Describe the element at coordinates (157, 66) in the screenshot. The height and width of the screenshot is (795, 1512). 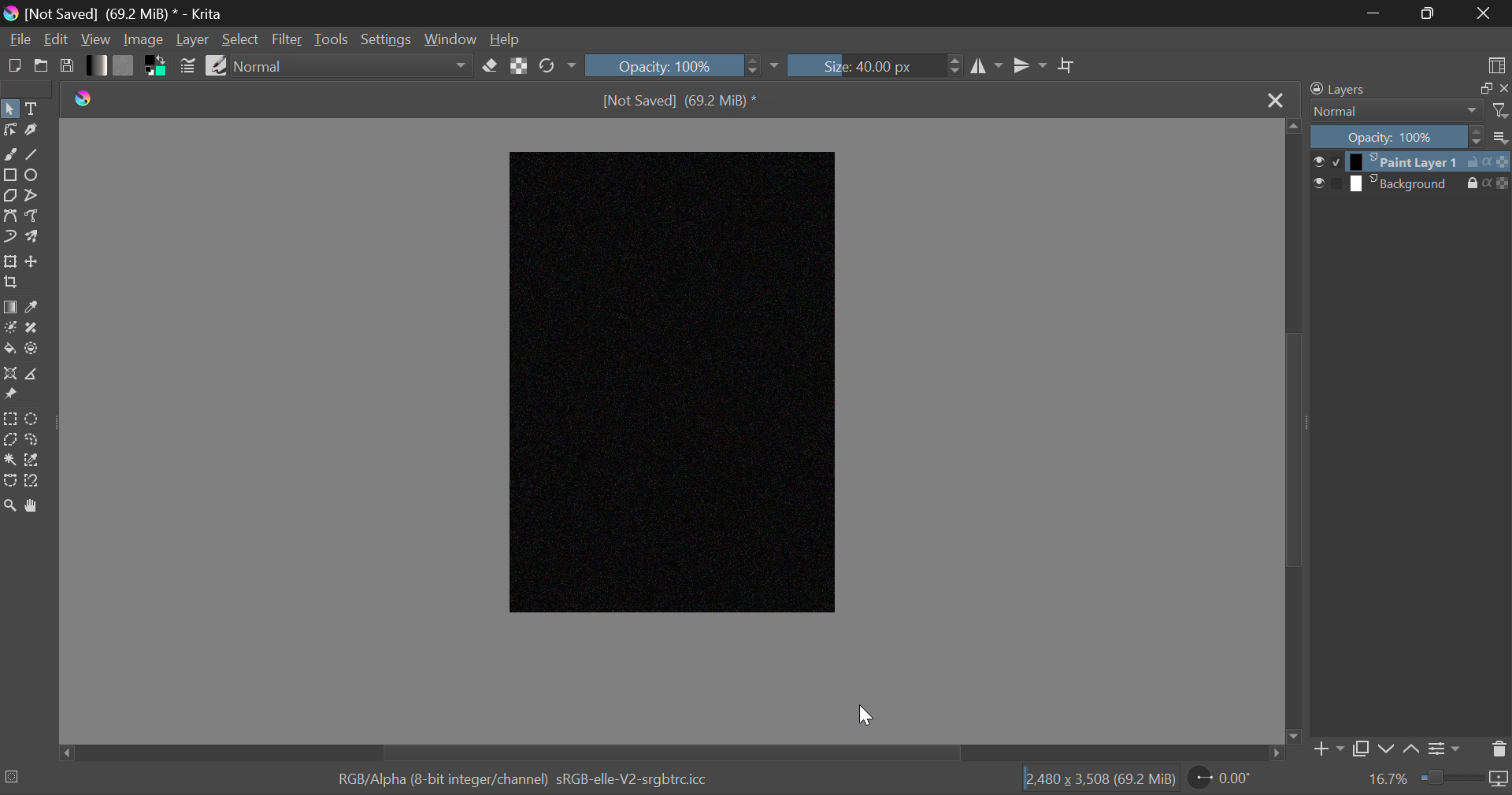
I see `Colors in Use` at that location.